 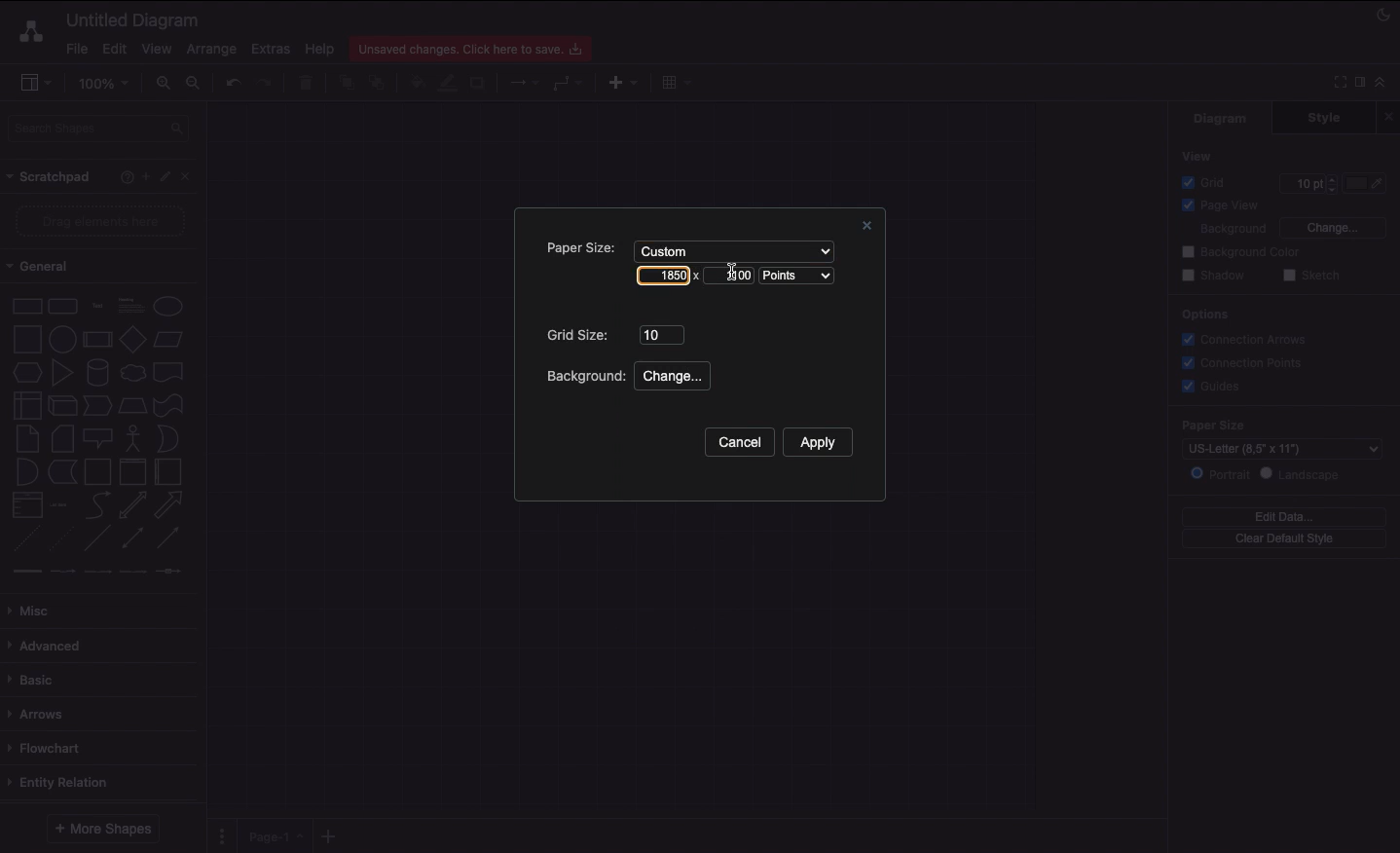 I want to click on Connection points, so click(x=1243, y=362).